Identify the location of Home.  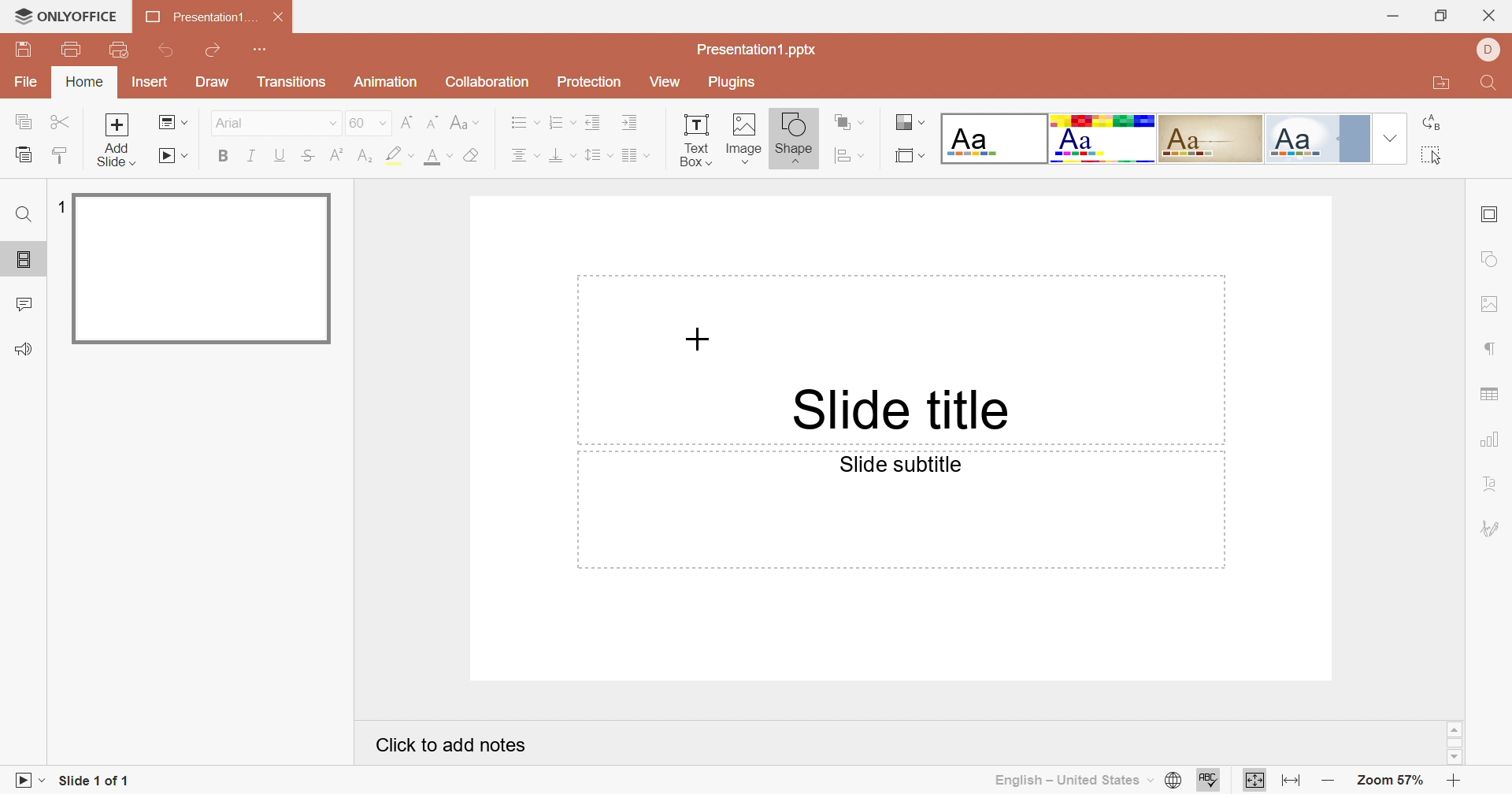
(83, 81).